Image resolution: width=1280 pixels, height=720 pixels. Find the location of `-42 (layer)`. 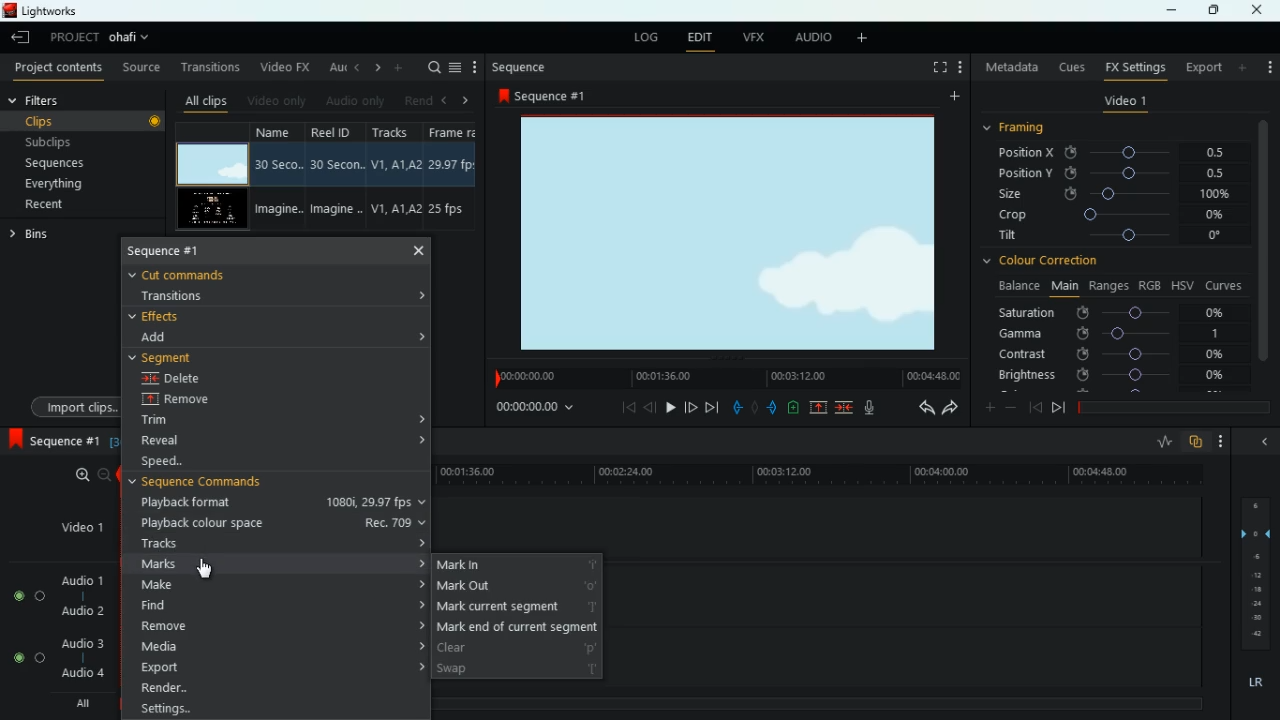

-42 (layer) is located at coordinates (1256, 633).